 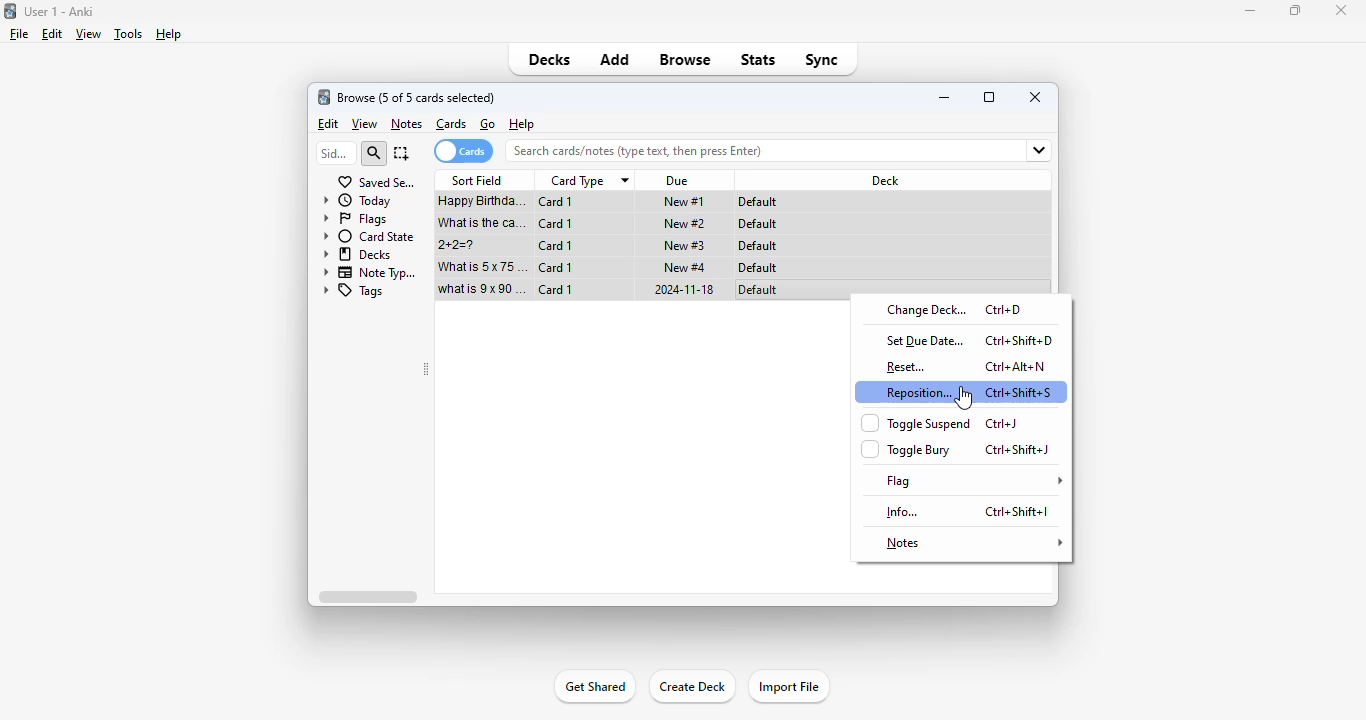 What do you see at coordinates (482, 289) in the screenshot?
I see `what is 9x90=?` at bounding box center [482, 289].